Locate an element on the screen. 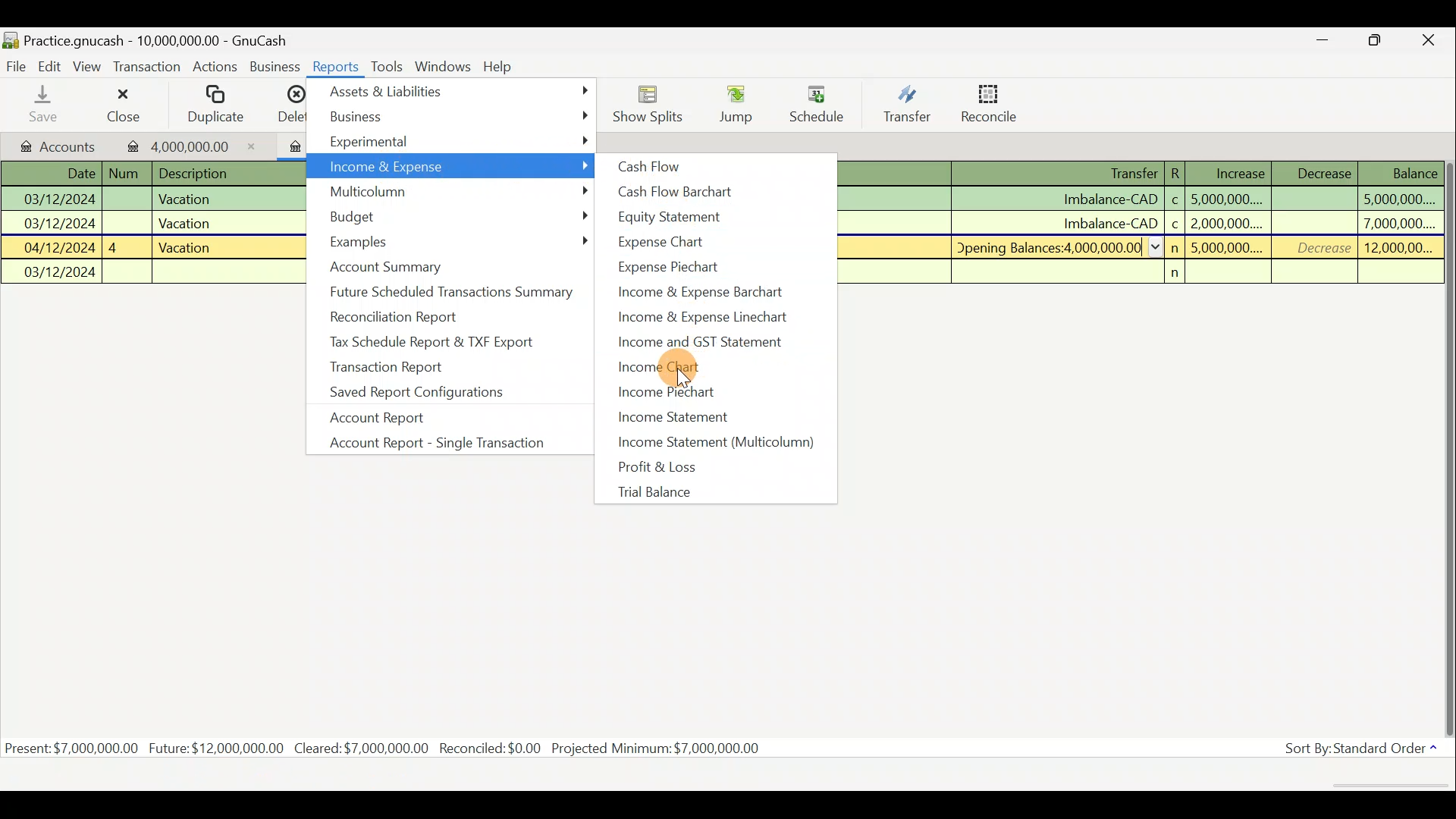 The height and width of the screenshot is (819, 1456). Expense chart is located at coordinates (672, 240).